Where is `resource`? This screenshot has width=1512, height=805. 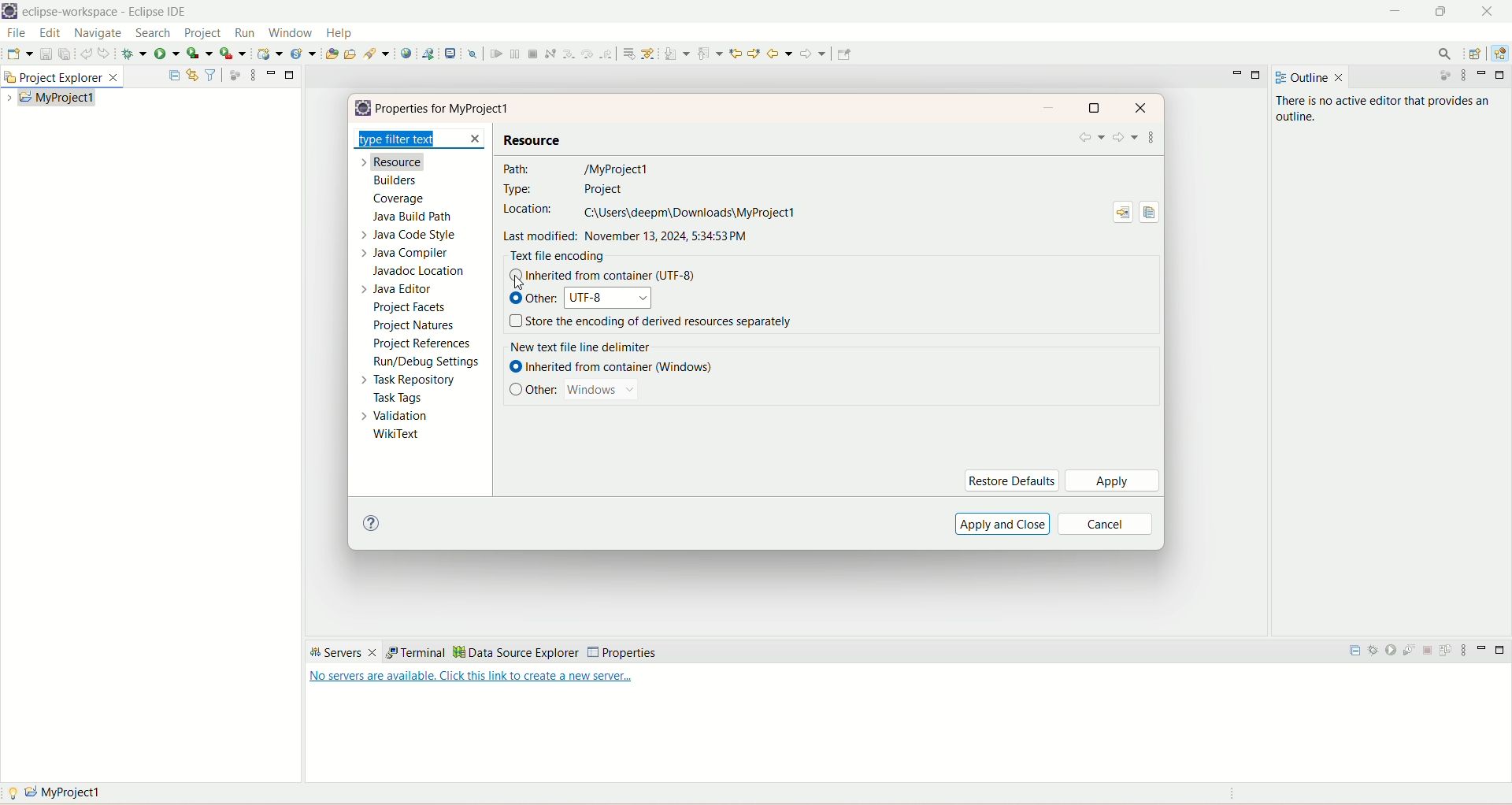 resource is located at coordinates (532, 139).